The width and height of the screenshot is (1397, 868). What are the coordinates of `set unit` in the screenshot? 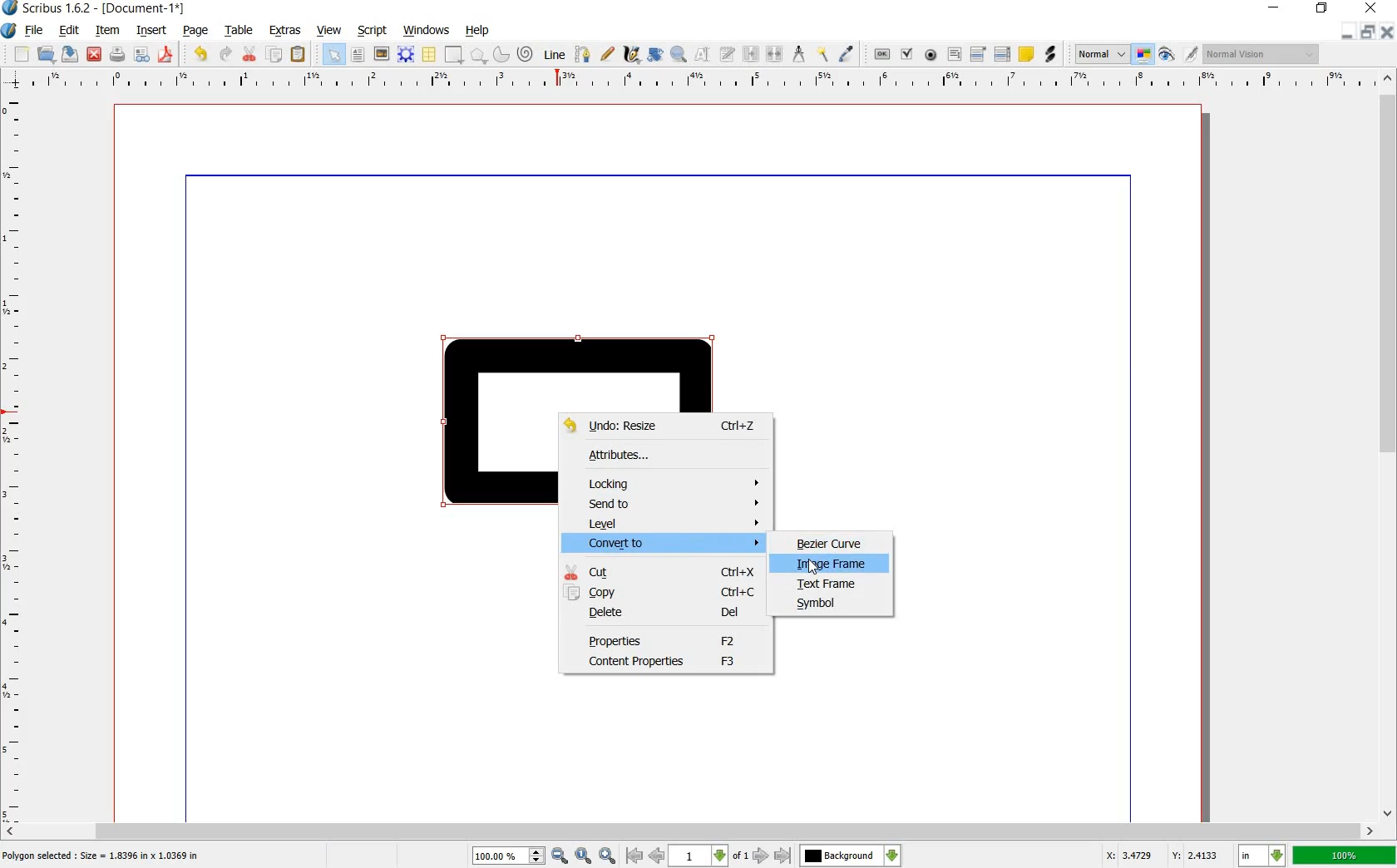 It's located at (1261, 856).